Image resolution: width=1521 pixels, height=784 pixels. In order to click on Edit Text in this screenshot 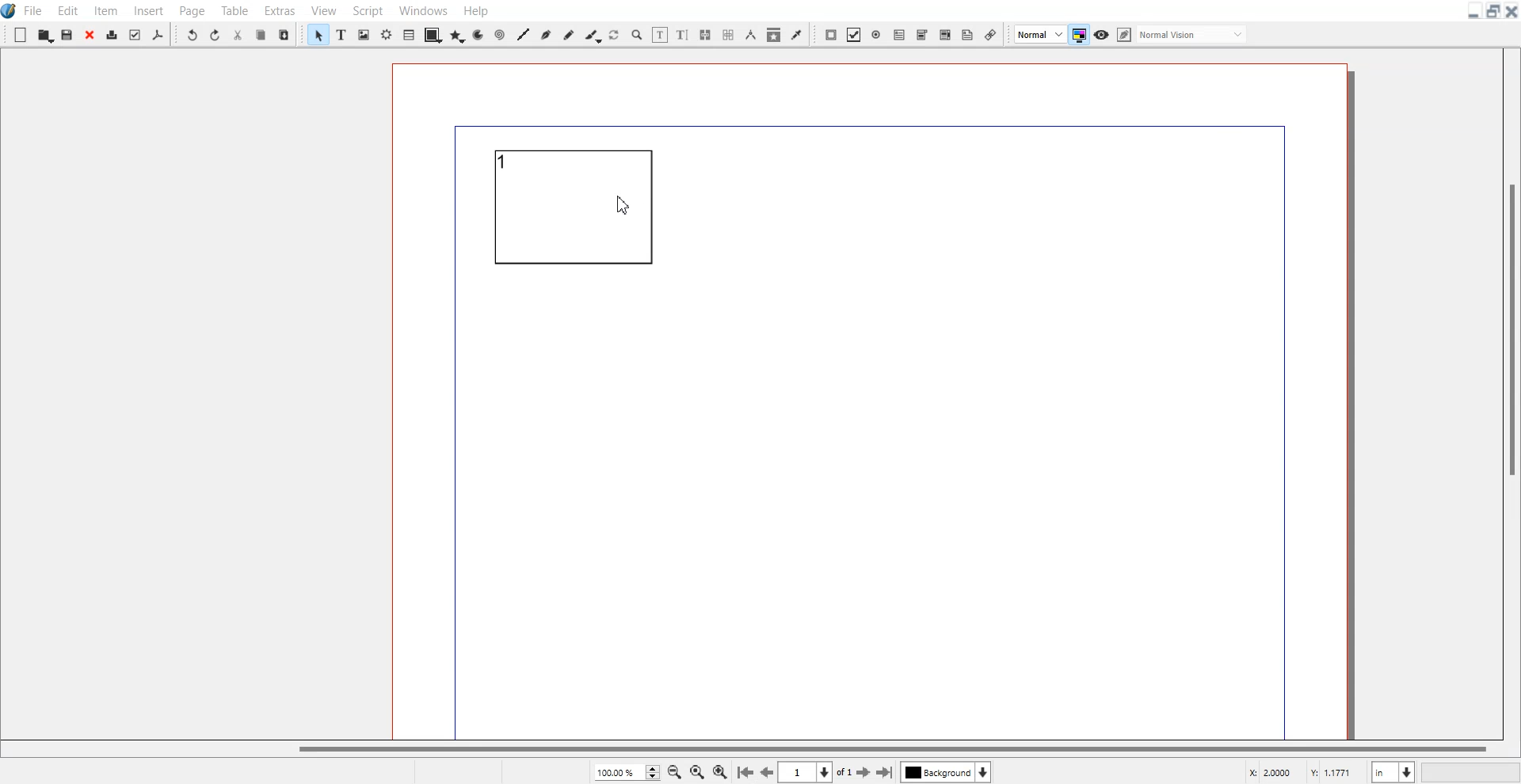, I will do `click(684, 35)`.